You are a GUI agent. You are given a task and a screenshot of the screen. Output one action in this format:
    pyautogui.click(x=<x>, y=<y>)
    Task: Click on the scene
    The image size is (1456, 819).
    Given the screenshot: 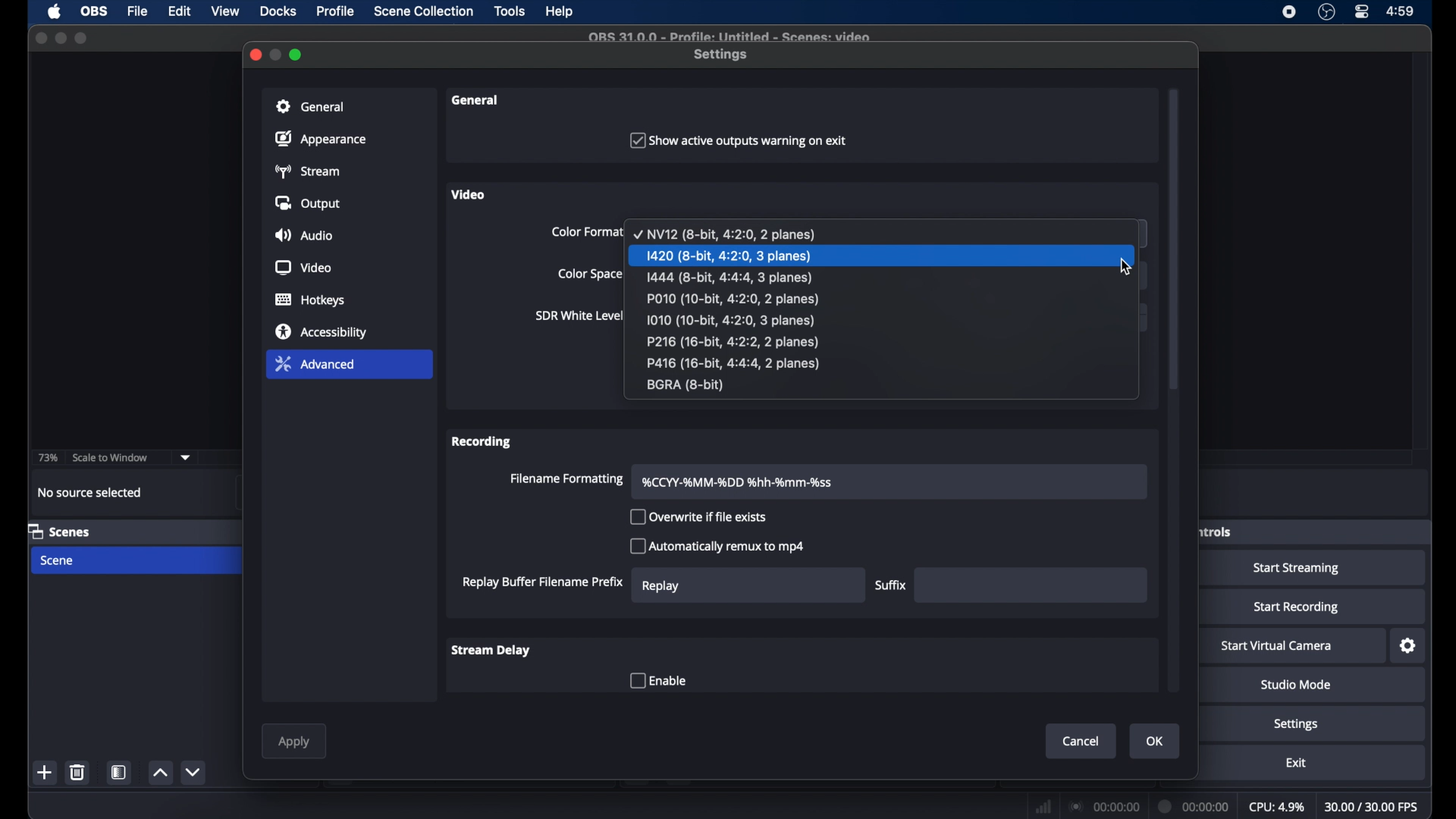 What is the action you would take?
    pyautogui.click(x=58, y=560)
    